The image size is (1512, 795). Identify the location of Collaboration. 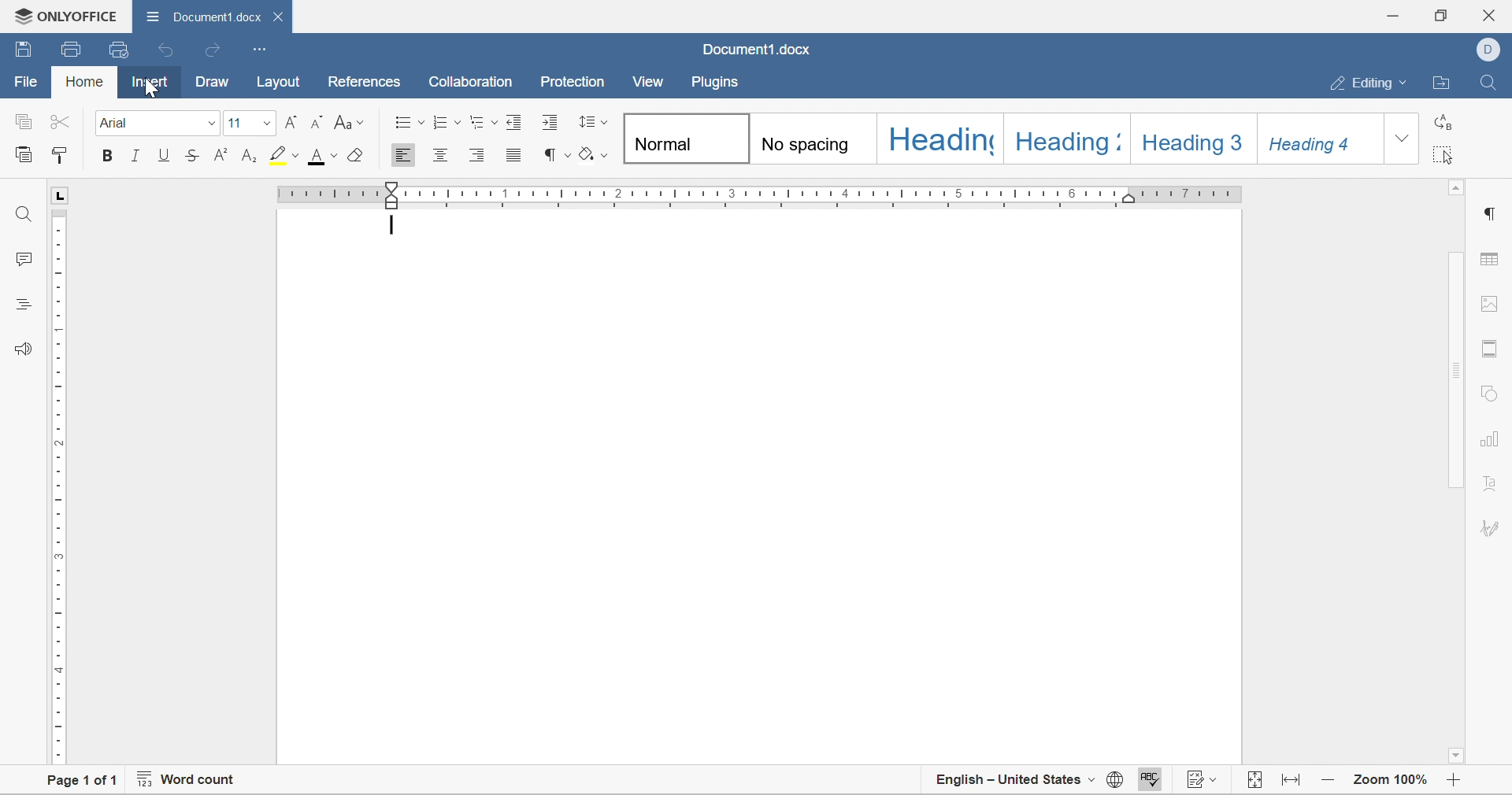
(474, 83).